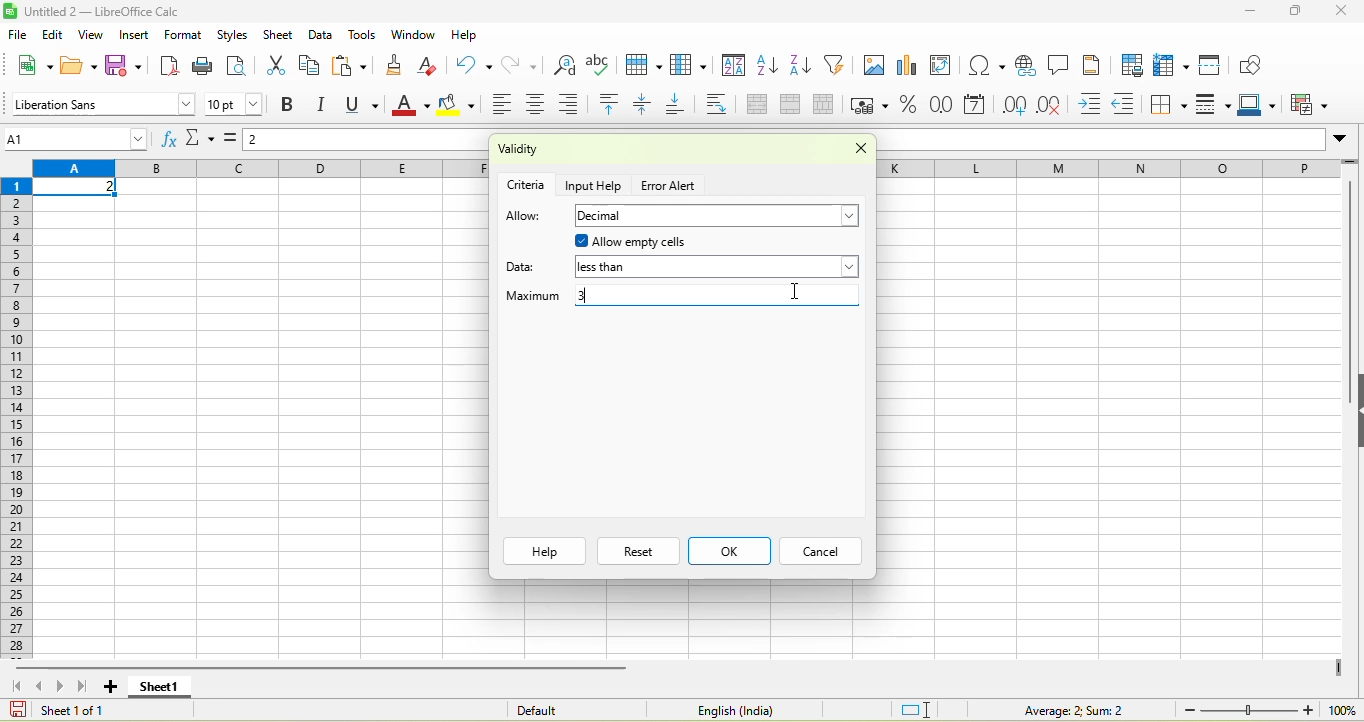 Image resolution: width=1364 pixels, height=722 pixels. What do you see at coordinates (723, 105) in the screenshot?
I see `wrap` at bounding box center [723, 105].